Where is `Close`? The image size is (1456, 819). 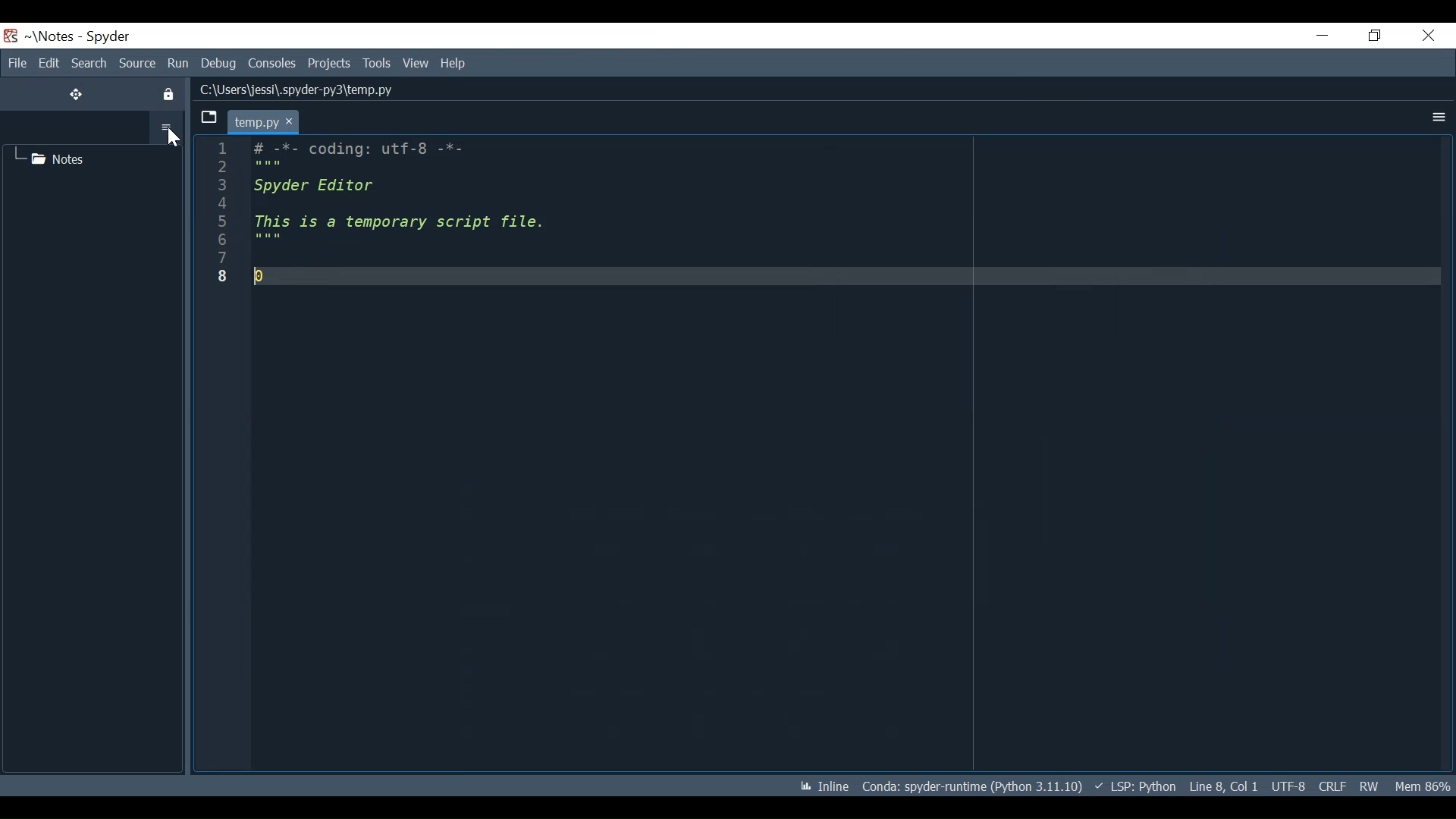
Close is located at coordinates (1427, 36).